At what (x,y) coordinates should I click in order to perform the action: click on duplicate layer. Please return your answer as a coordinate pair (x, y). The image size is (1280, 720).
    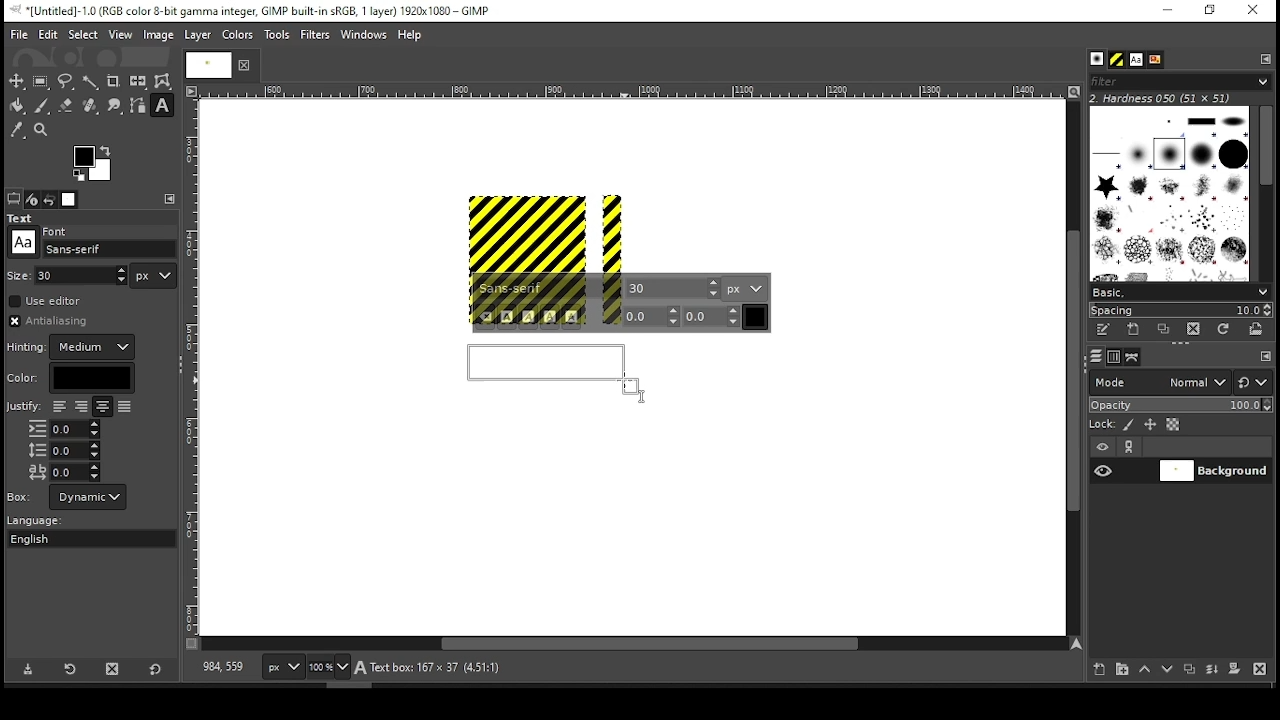
    Looking at the image, I should click on (1192, 671).